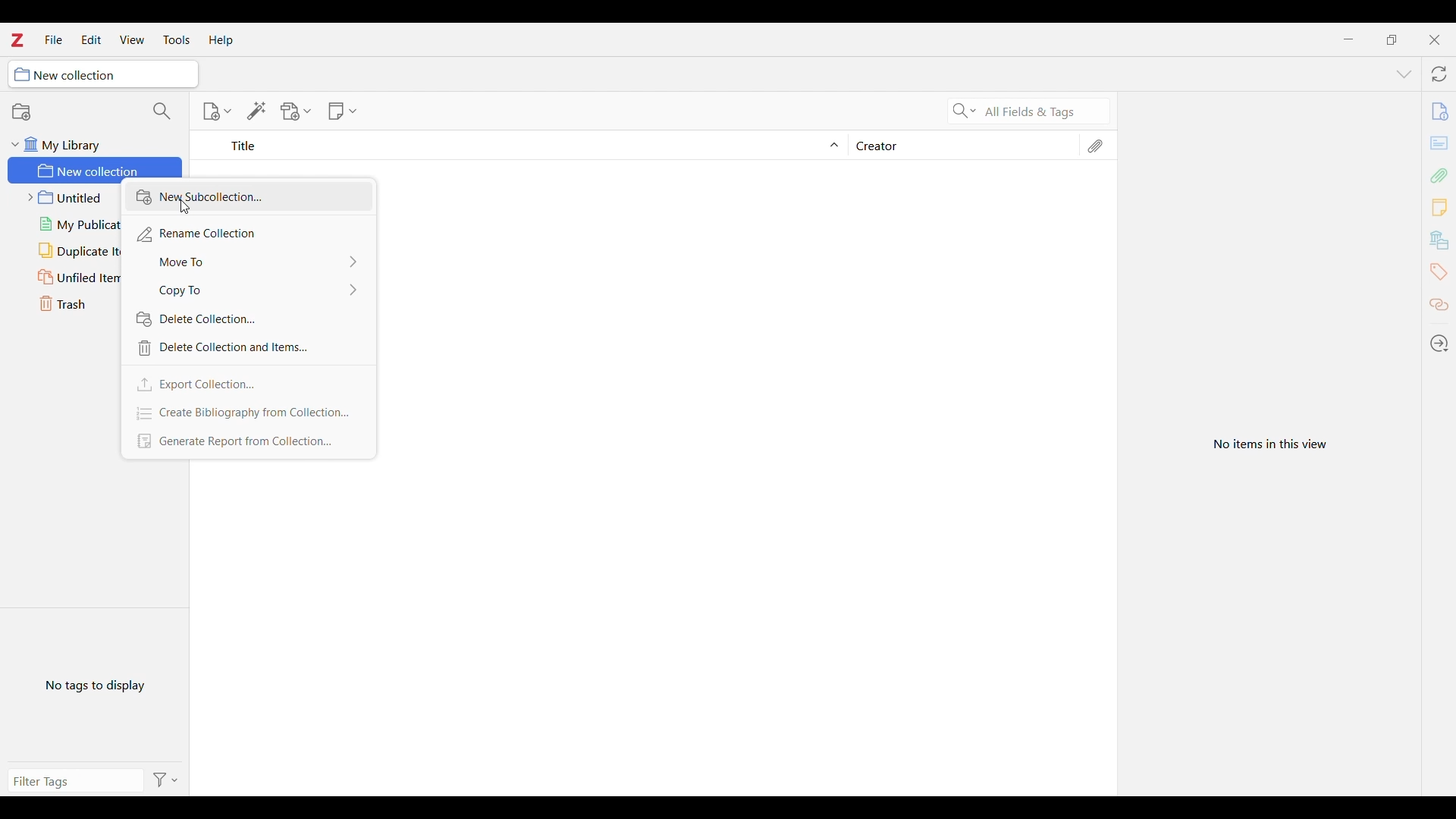 Image resolution: width=1456 pixels, height=819 pixels. I want to click on New collection, so click(22, 112).